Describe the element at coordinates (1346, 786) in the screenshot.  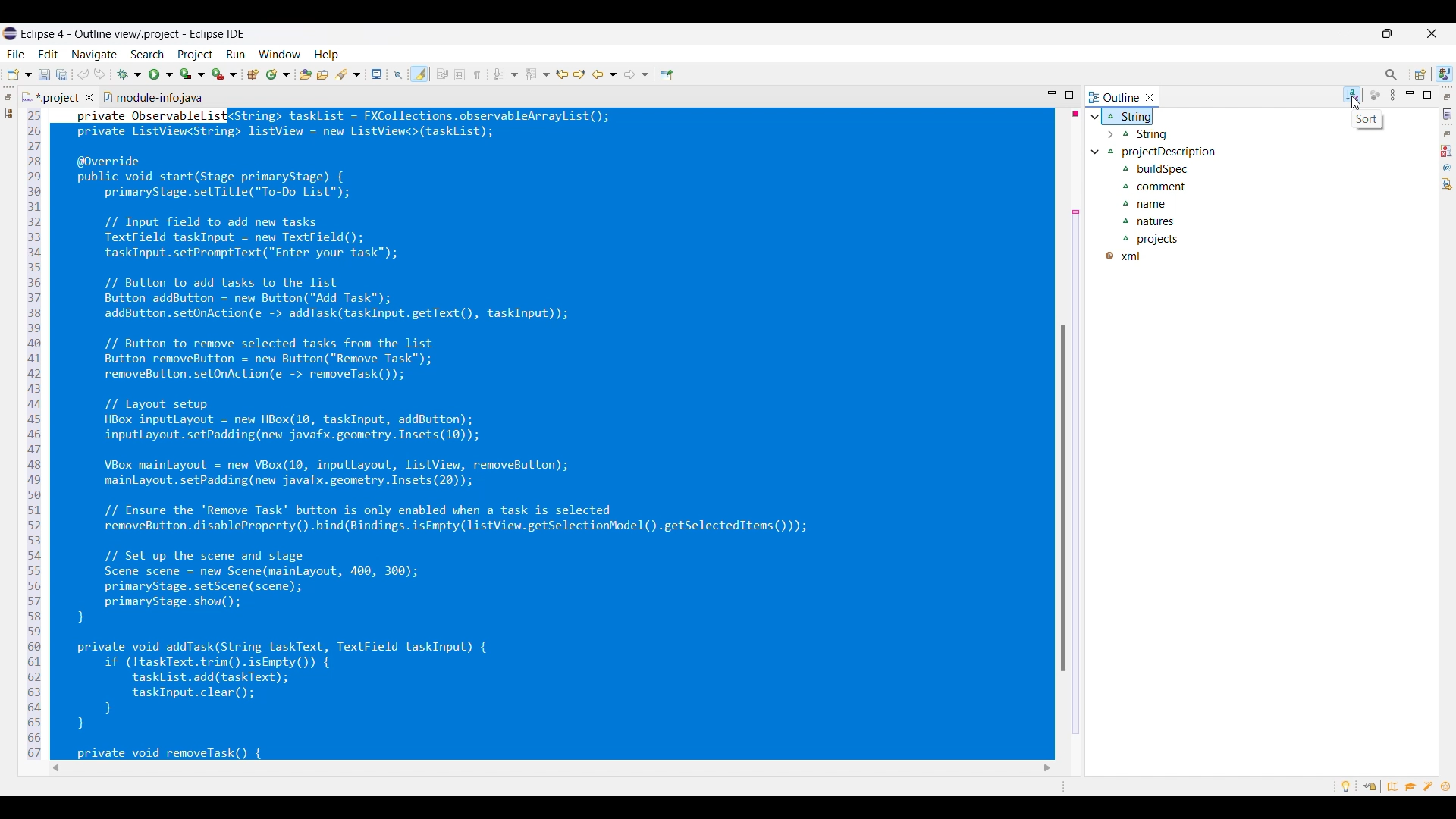
I see `Tip of the day` at that location.